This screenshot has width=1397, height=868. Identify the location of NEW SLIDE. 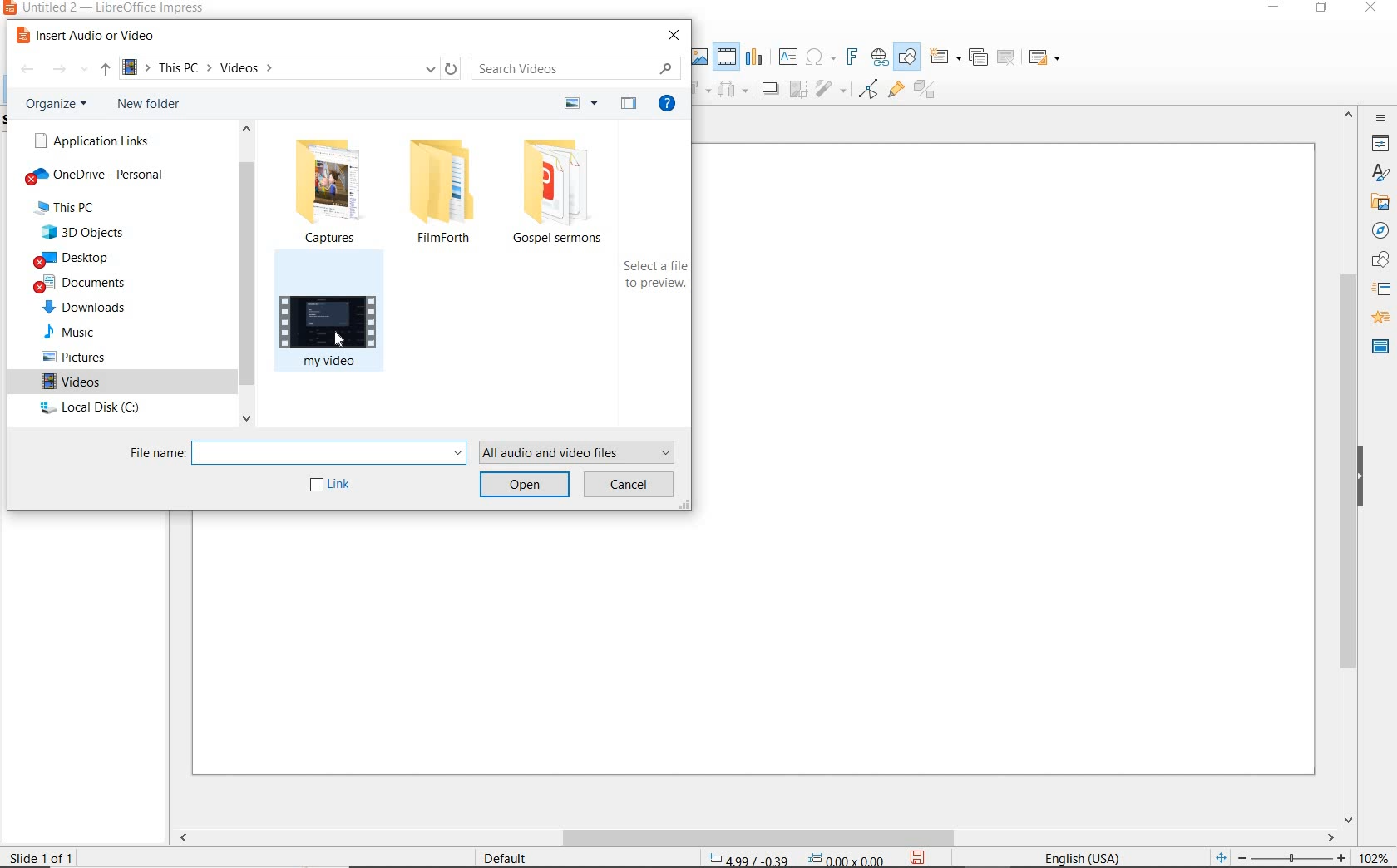
(945, 56).